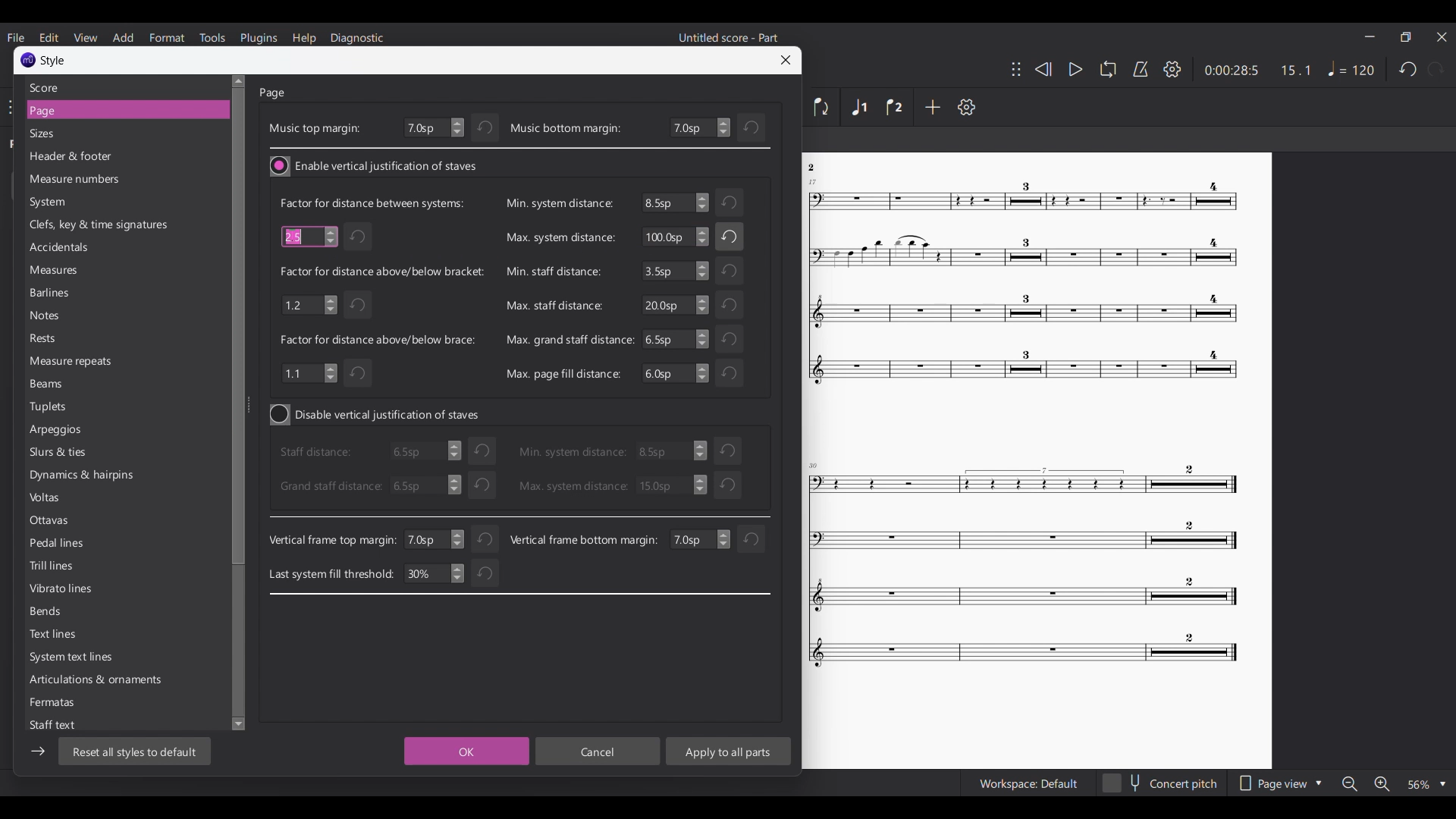 This screenshot has width=1456, height=819. What do you see at coordinates (71, 340) in the screenshot?
I see `Rests` at bounding box center [71, 340].